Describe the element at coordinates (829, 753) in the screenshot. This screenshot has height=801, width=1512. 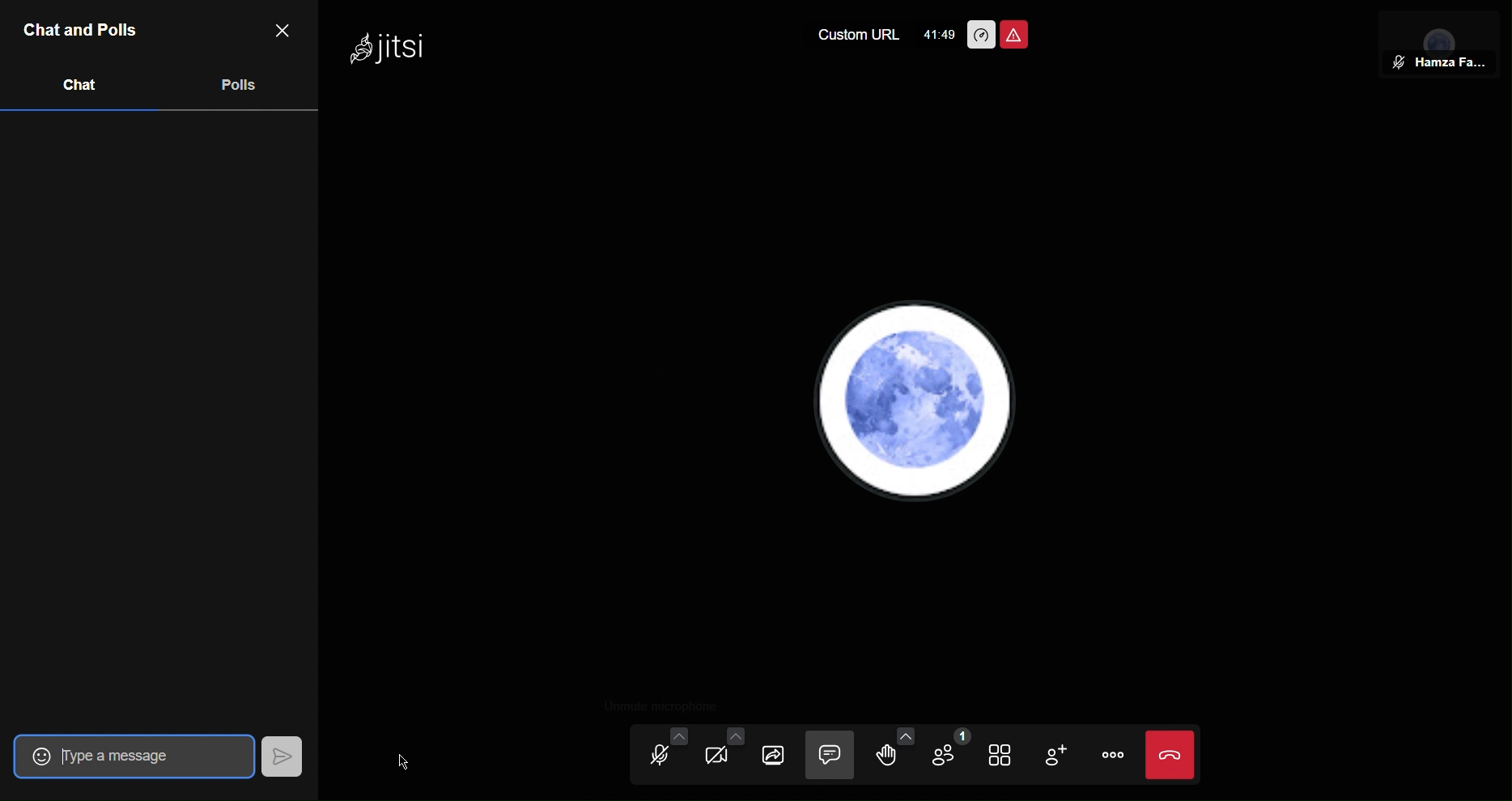
I see `Chat` at that location.